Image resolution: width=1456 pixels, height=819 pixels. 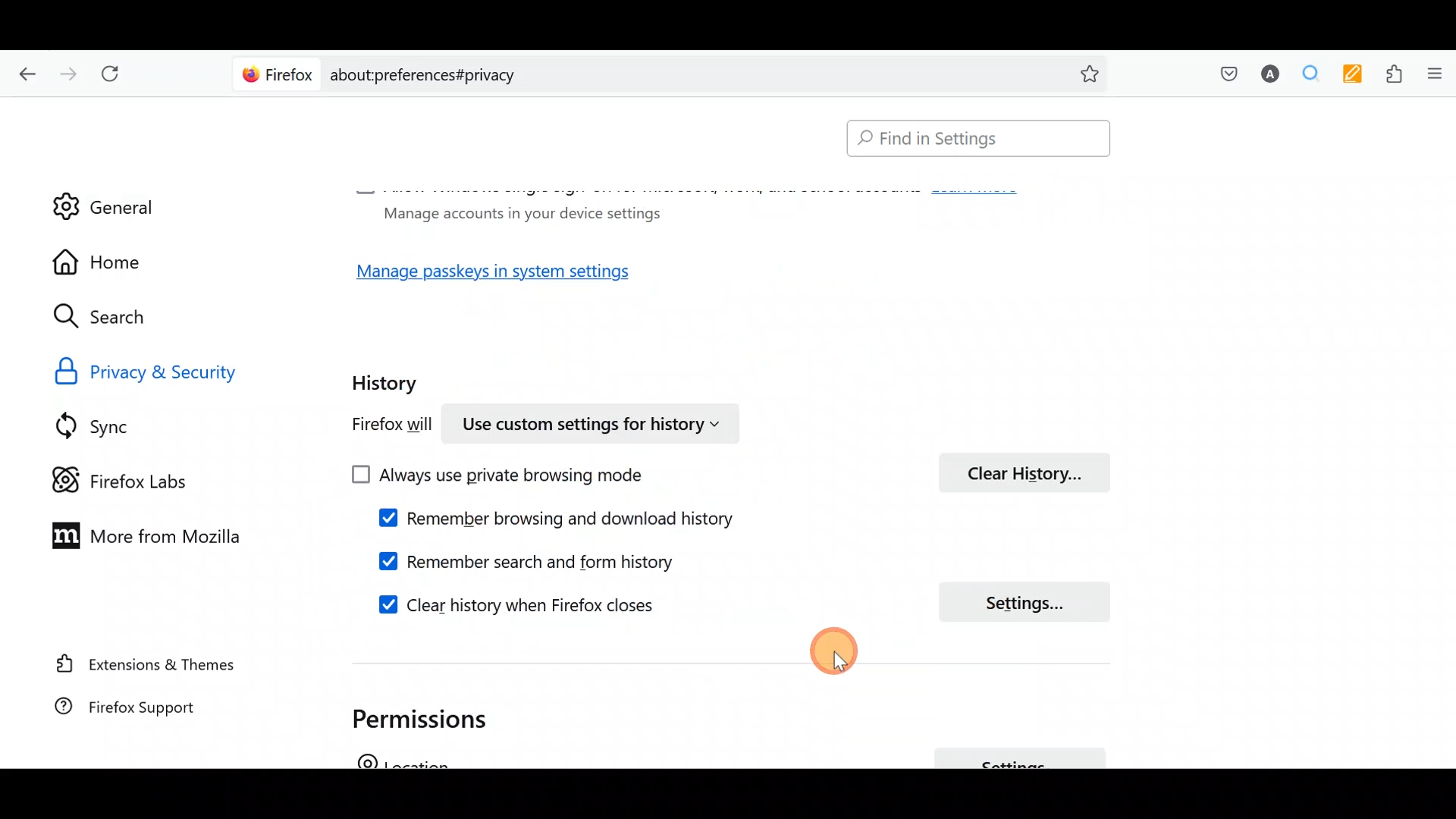 What do you see at coordinates (149, 667) in the screenshot?
I see `Extension & themes` at bounding box center [149, 667].